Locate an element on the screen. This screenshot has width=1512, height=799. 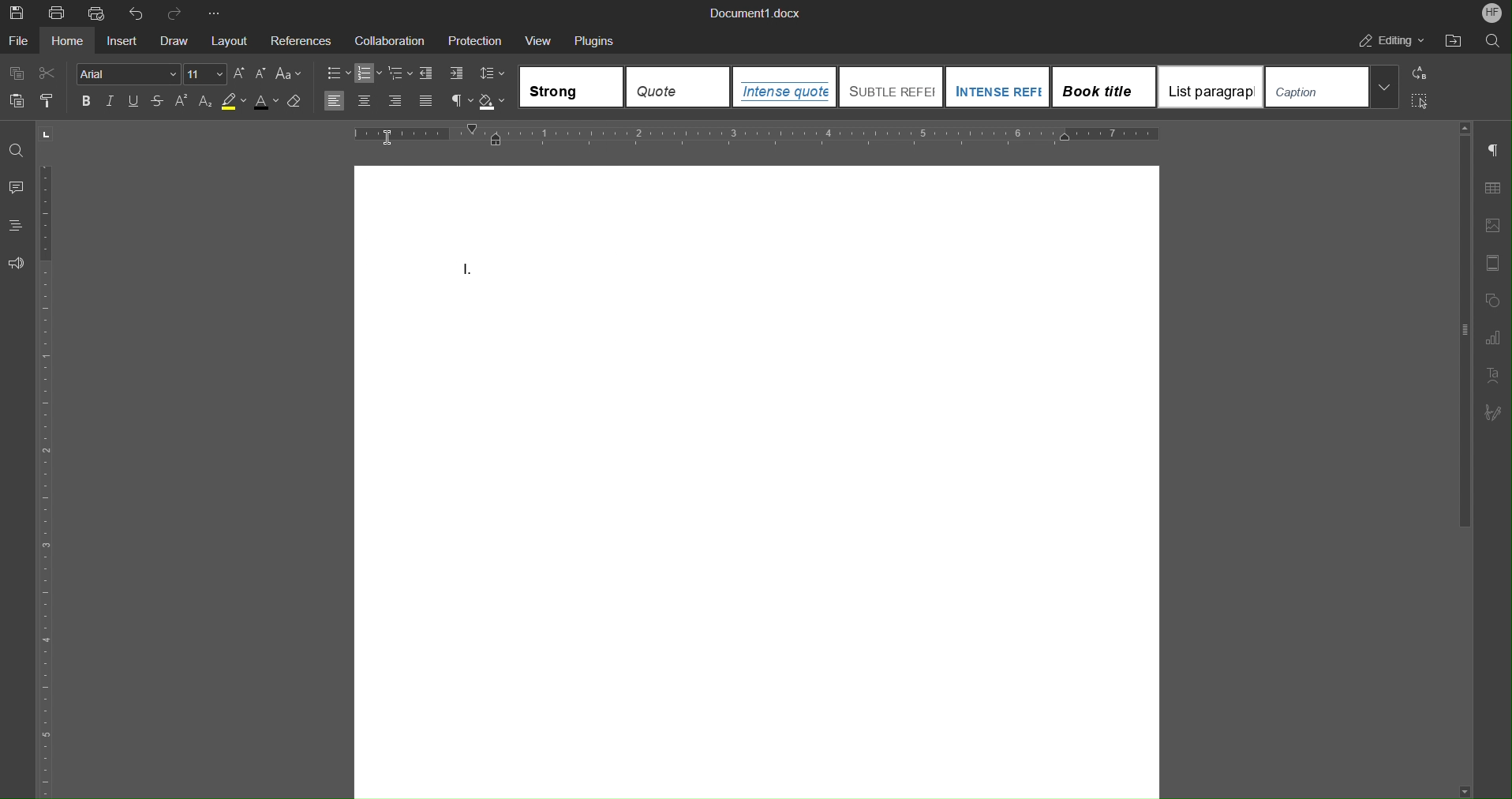
Copy Style is located at coordinates (49, 102).